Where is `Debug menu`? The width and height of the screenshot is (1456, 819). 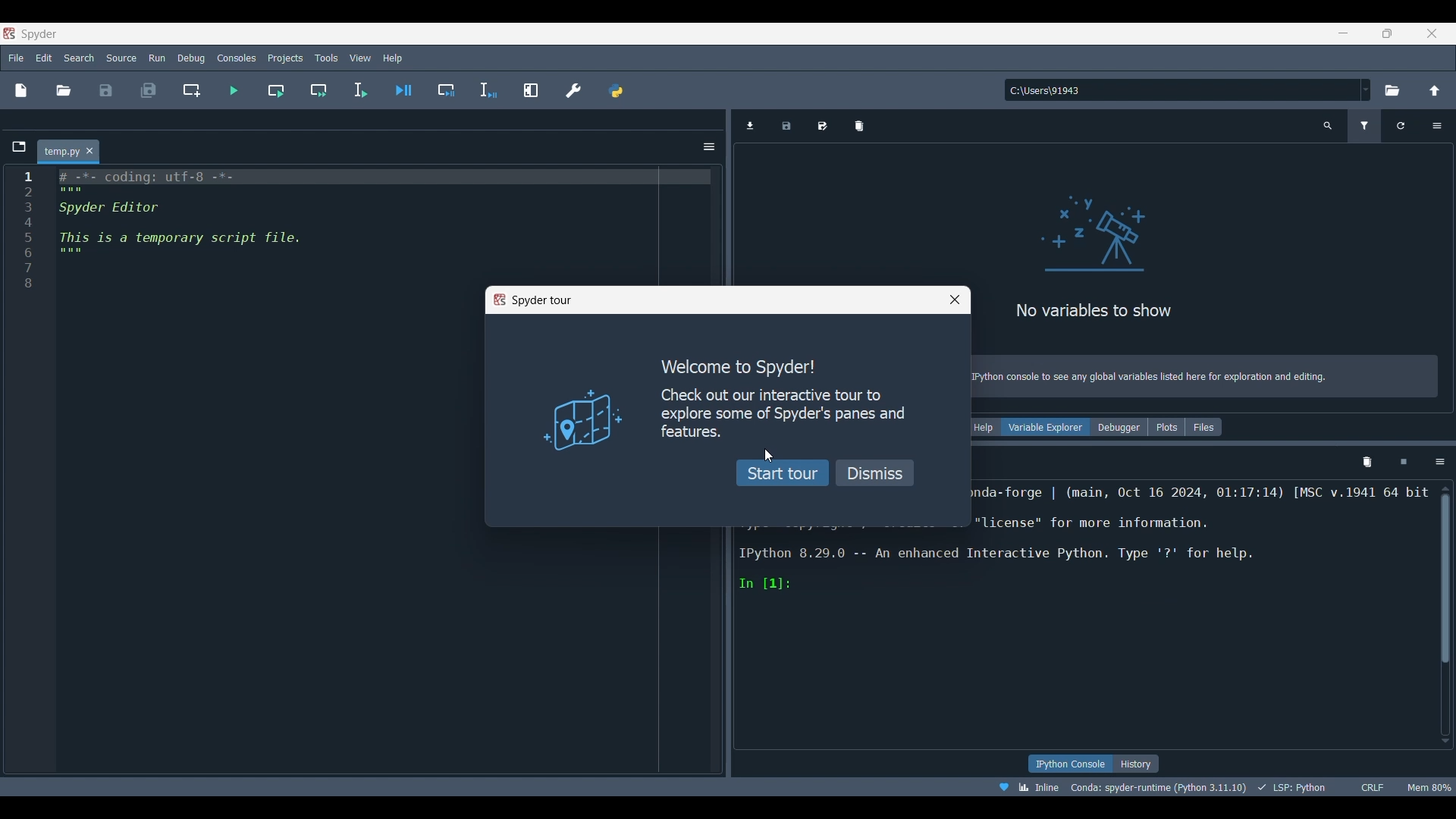 Debug menu is located at coordinates (191, 57).